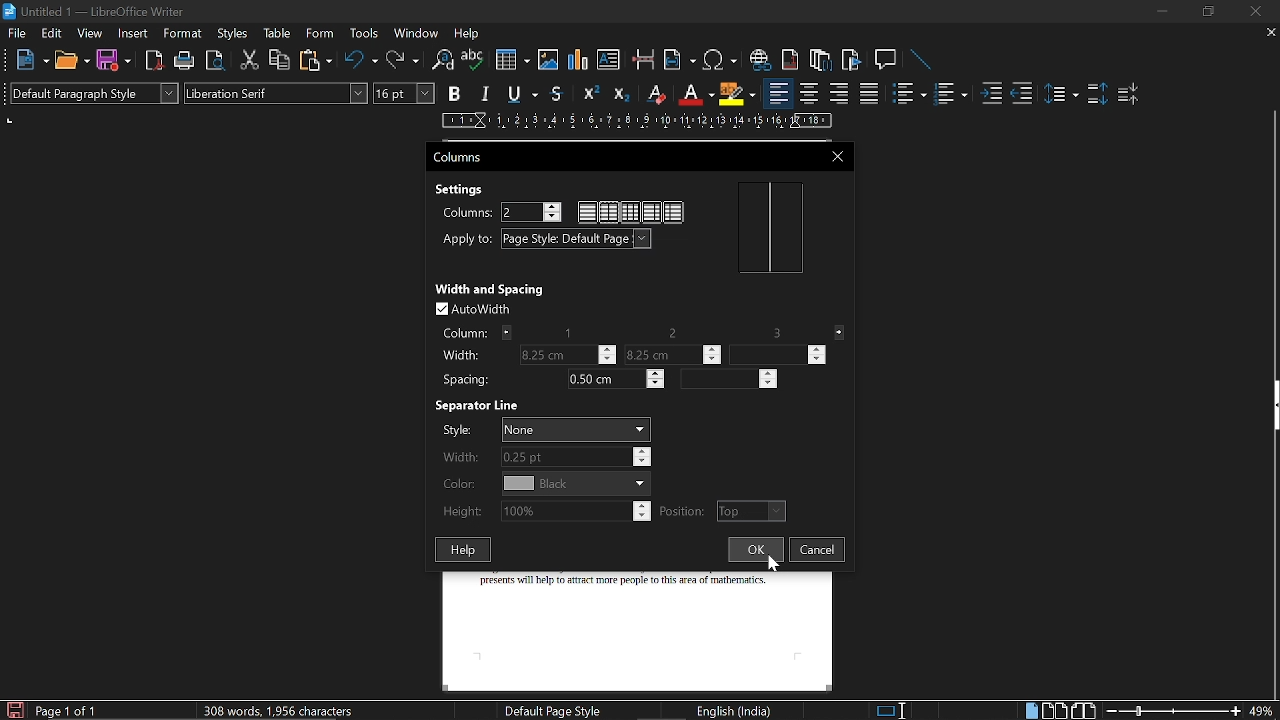 This screenshot has width=1280, height=720. What do you see at coordinates (186, 33) in the screenshot?
I see `Format` at bounding box center [186, 33].